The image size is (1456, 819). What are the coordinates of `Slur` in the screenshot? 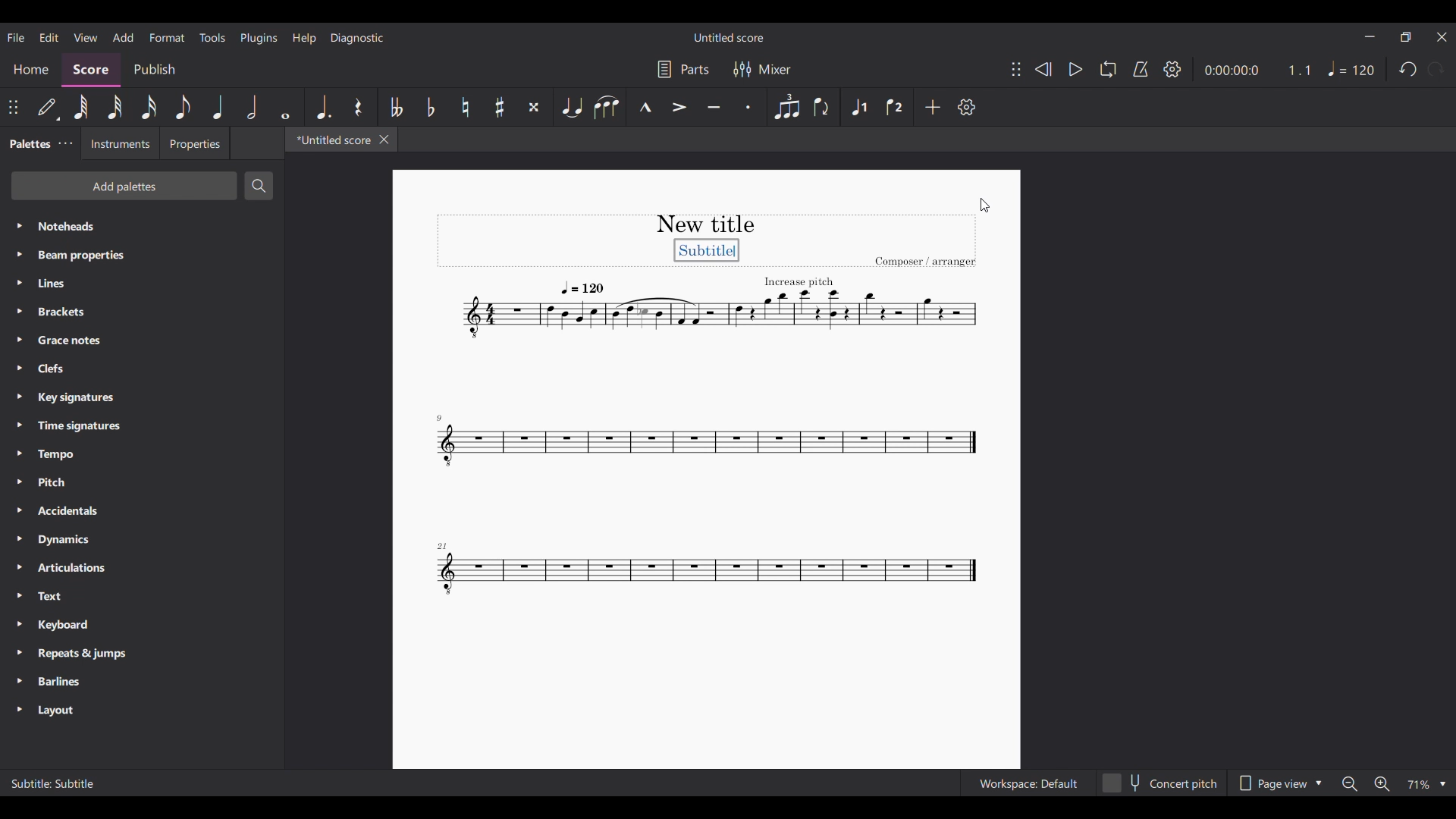 It's located at (607, 107).